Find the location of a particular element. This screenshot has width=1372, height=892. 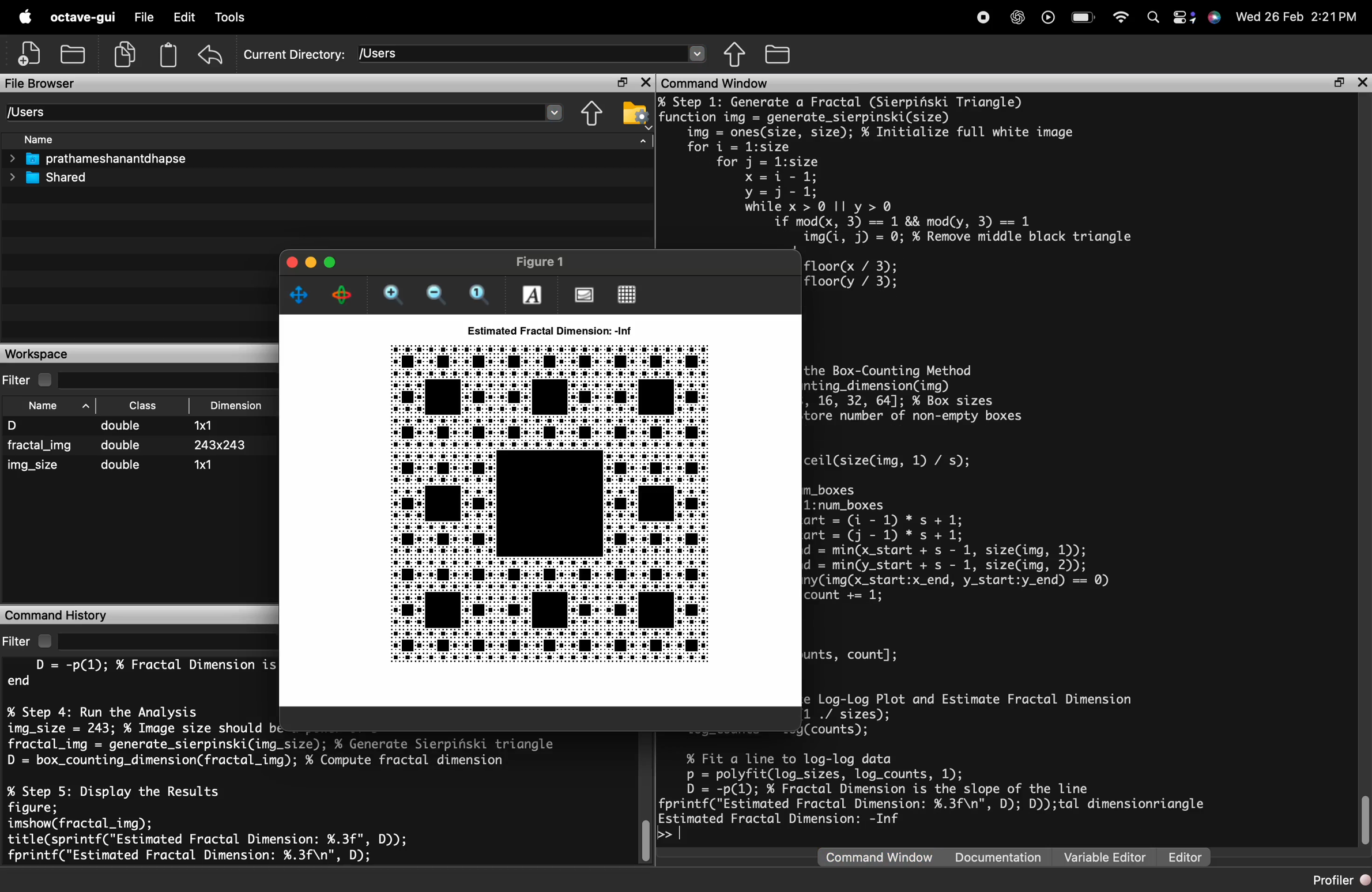

Command Window is located at coordinates (716, 81).